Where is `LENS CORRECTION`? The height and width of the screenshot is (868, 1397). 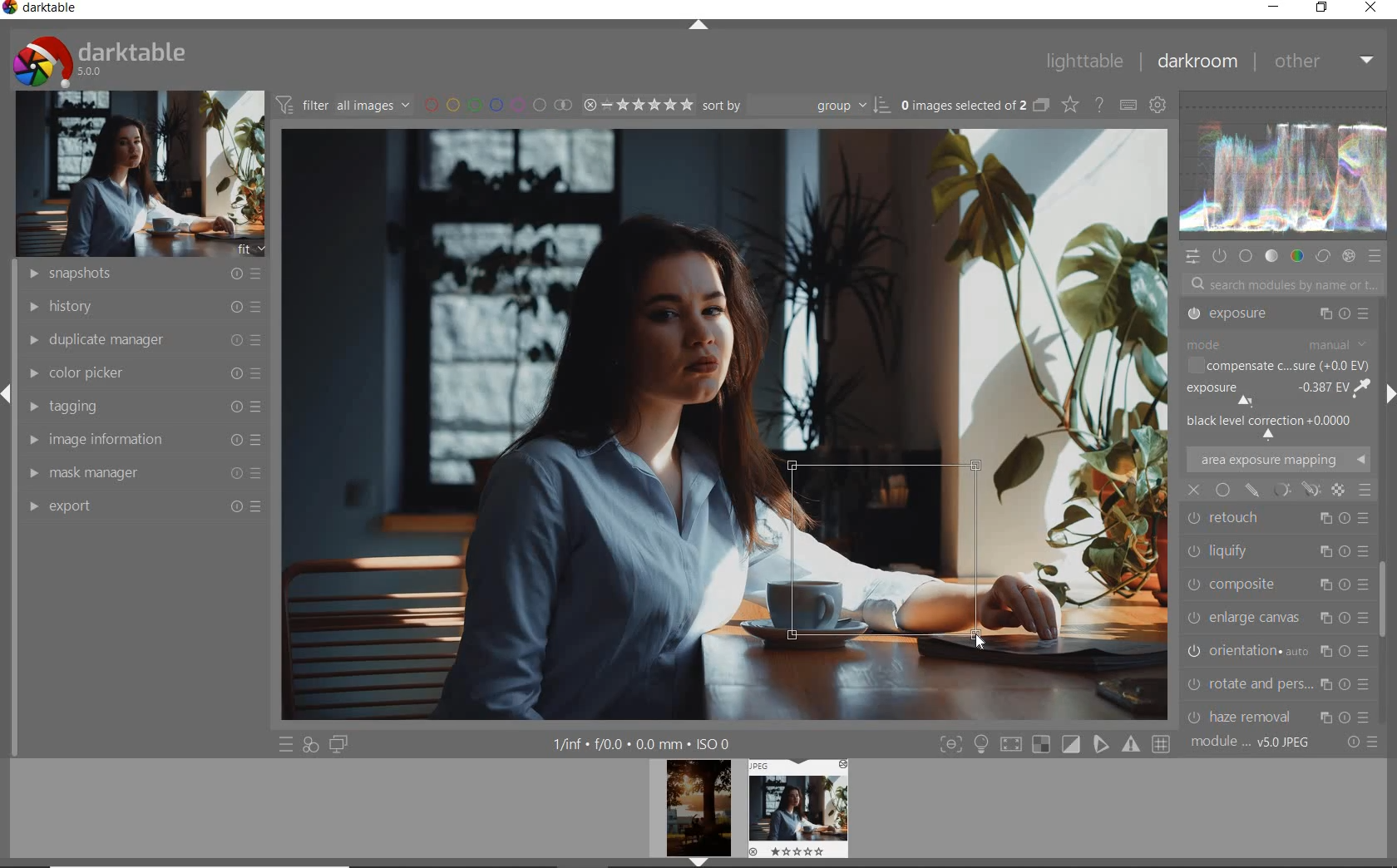 LENS CORRECTION is located at coordinates (1278, 679).